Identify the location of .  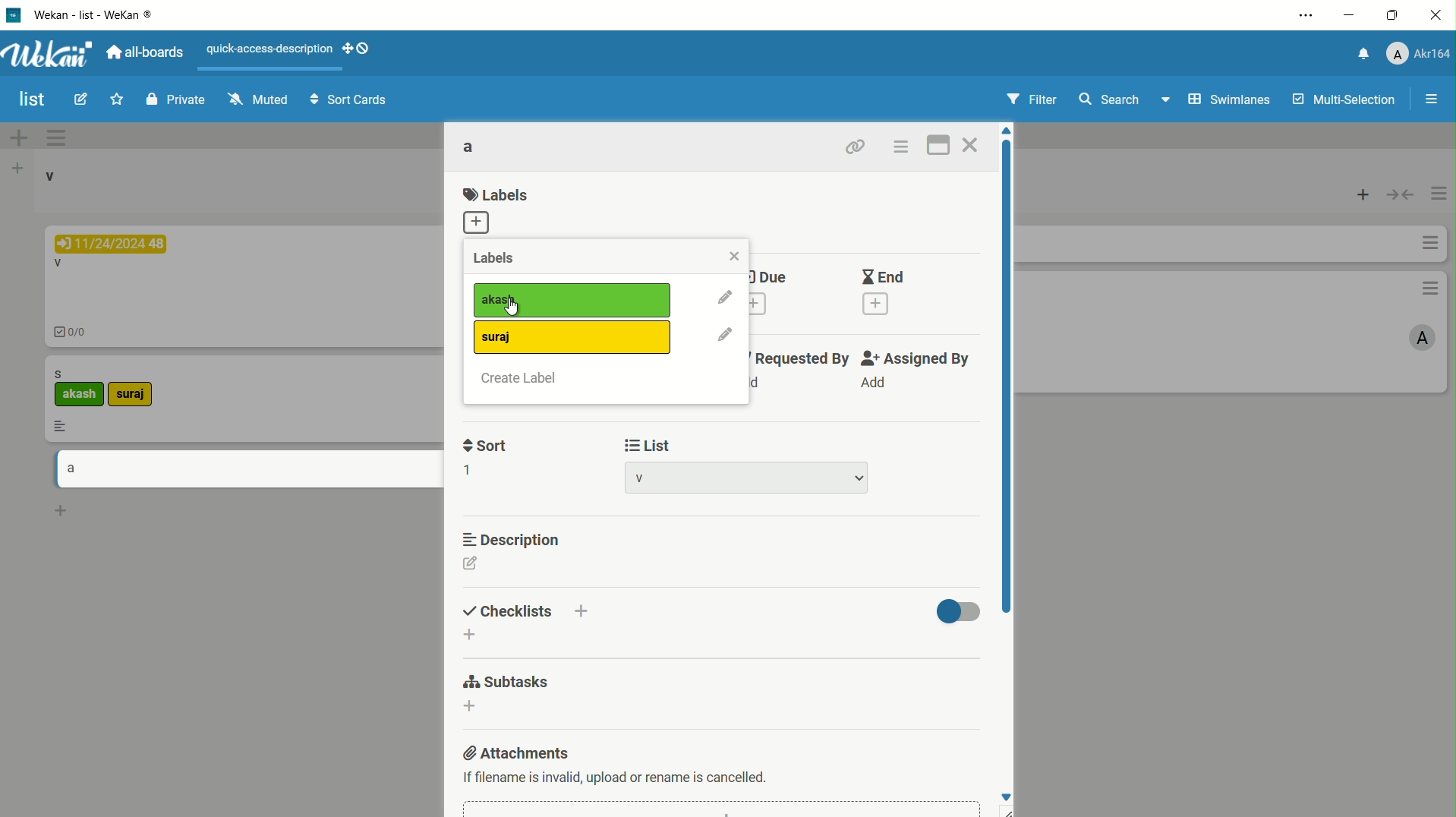
(468, 470).